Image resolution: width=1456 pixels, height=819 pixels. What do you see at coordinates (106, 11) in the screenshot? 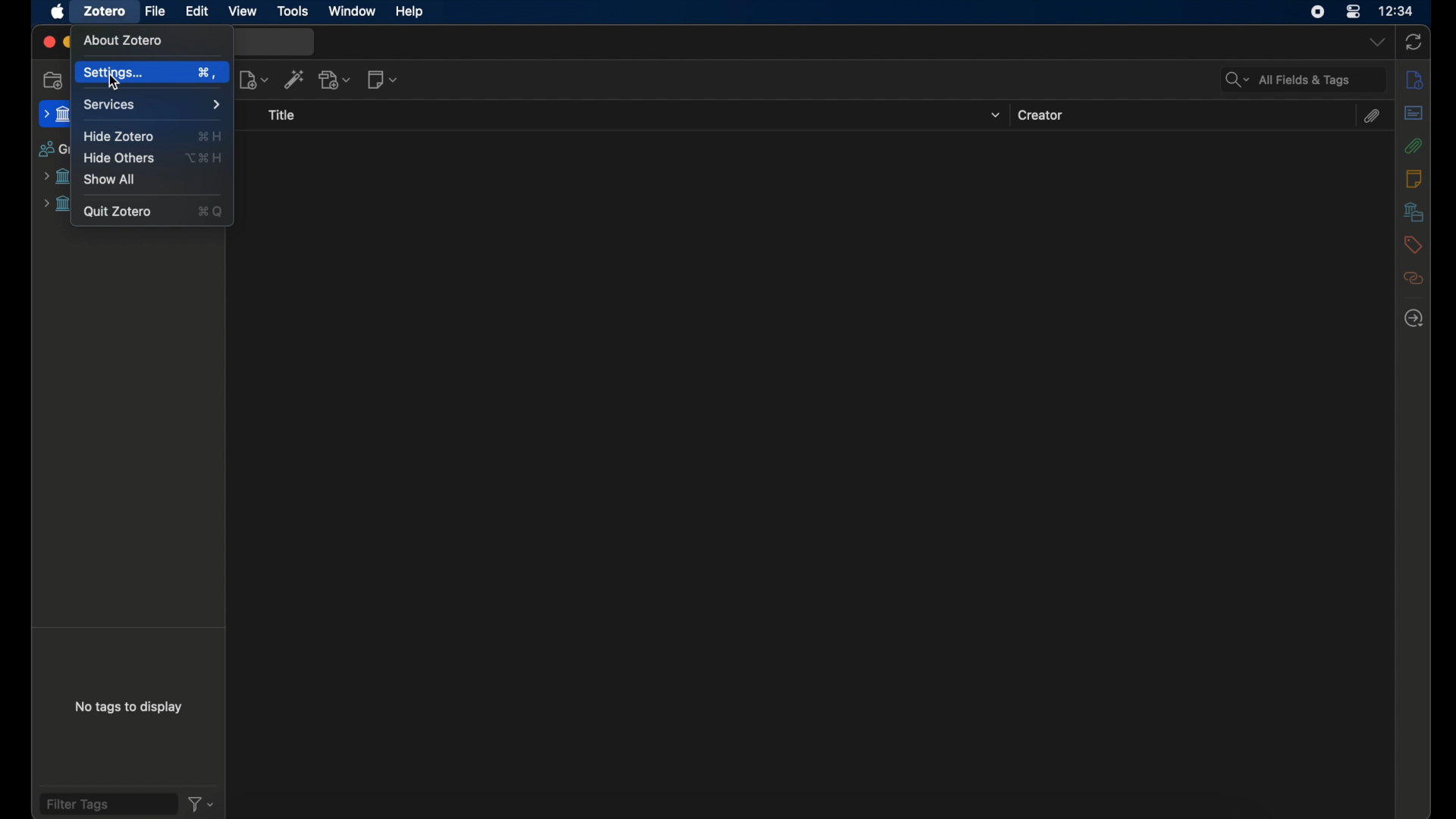
I see `zotero` at bounding box center [106, 11].